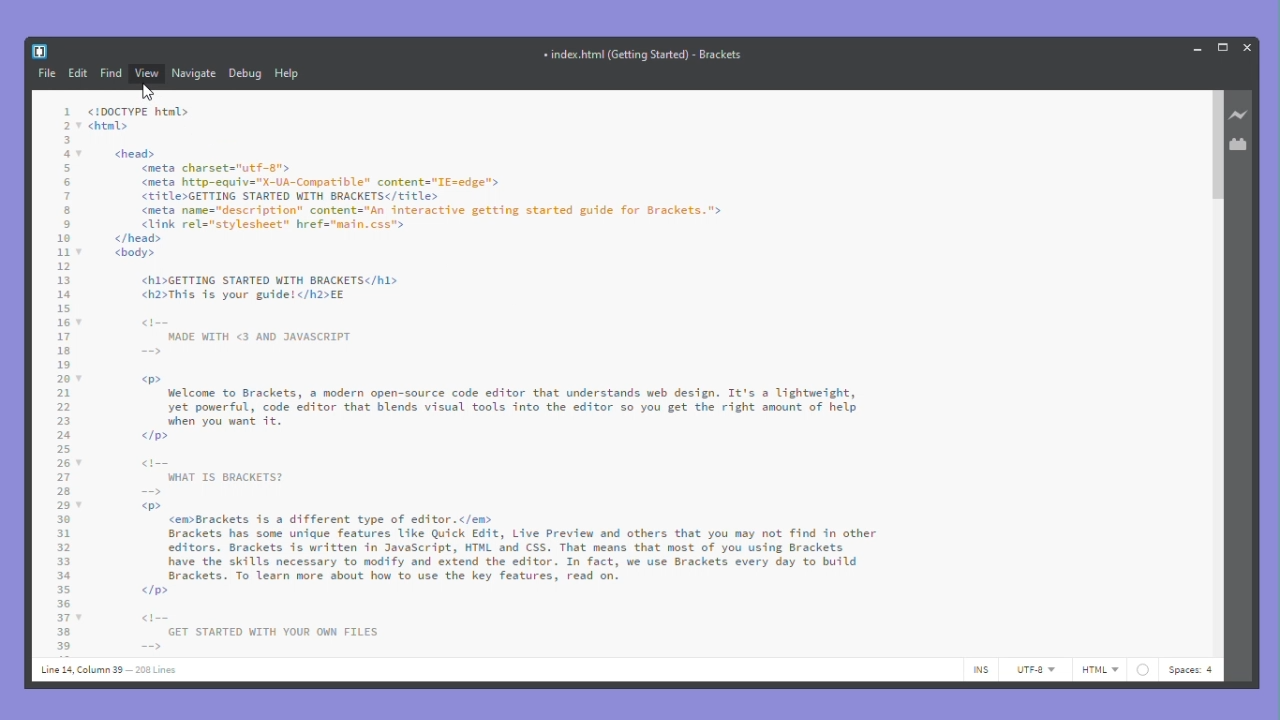  What do you see at coordinates (1241, 116) in the screenshot?
I see `Live preview` at bounding box center [1241, 116].